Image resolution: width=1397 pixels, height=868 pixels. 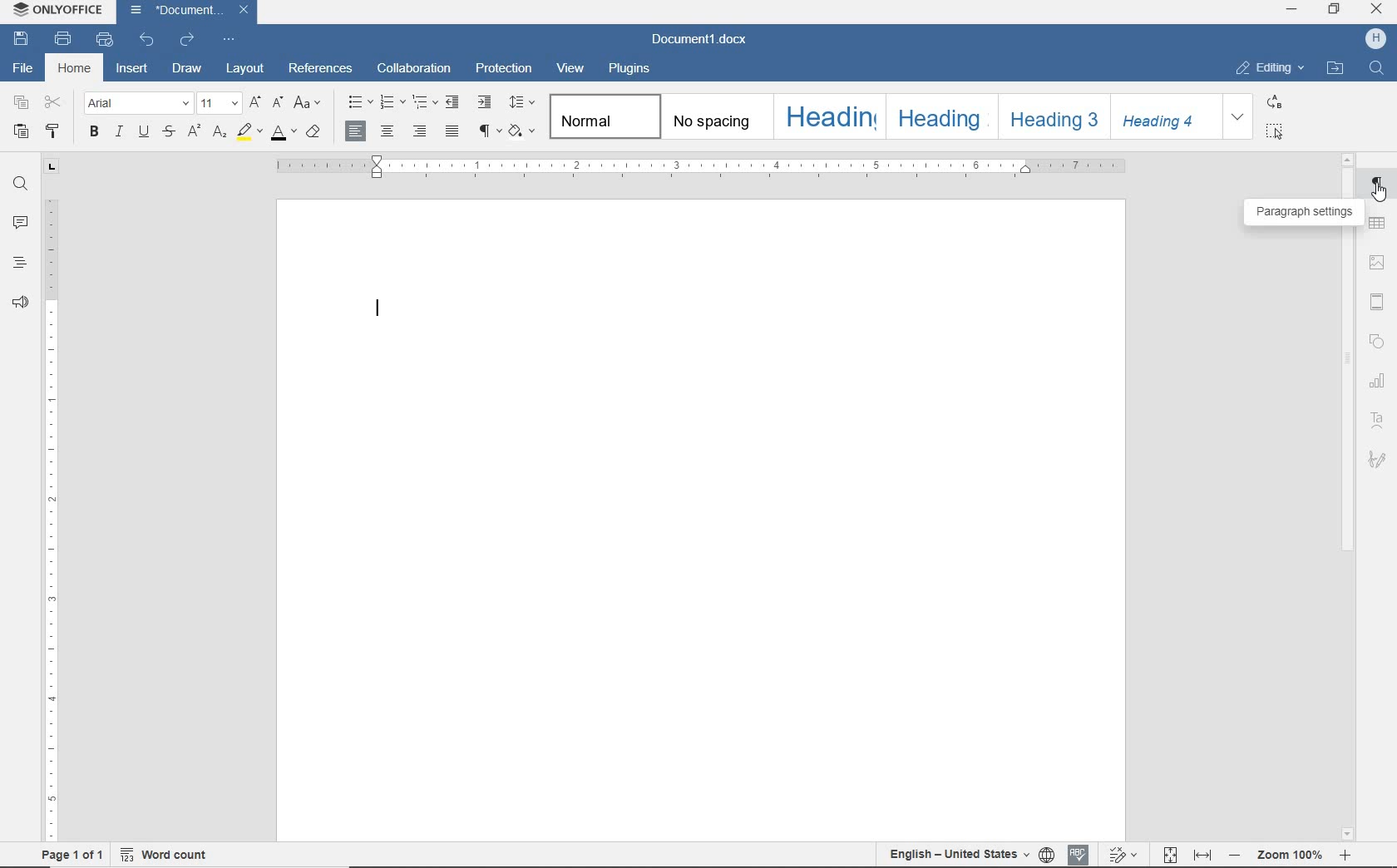 I want to click on increase indent, so click(x=486, y=102).